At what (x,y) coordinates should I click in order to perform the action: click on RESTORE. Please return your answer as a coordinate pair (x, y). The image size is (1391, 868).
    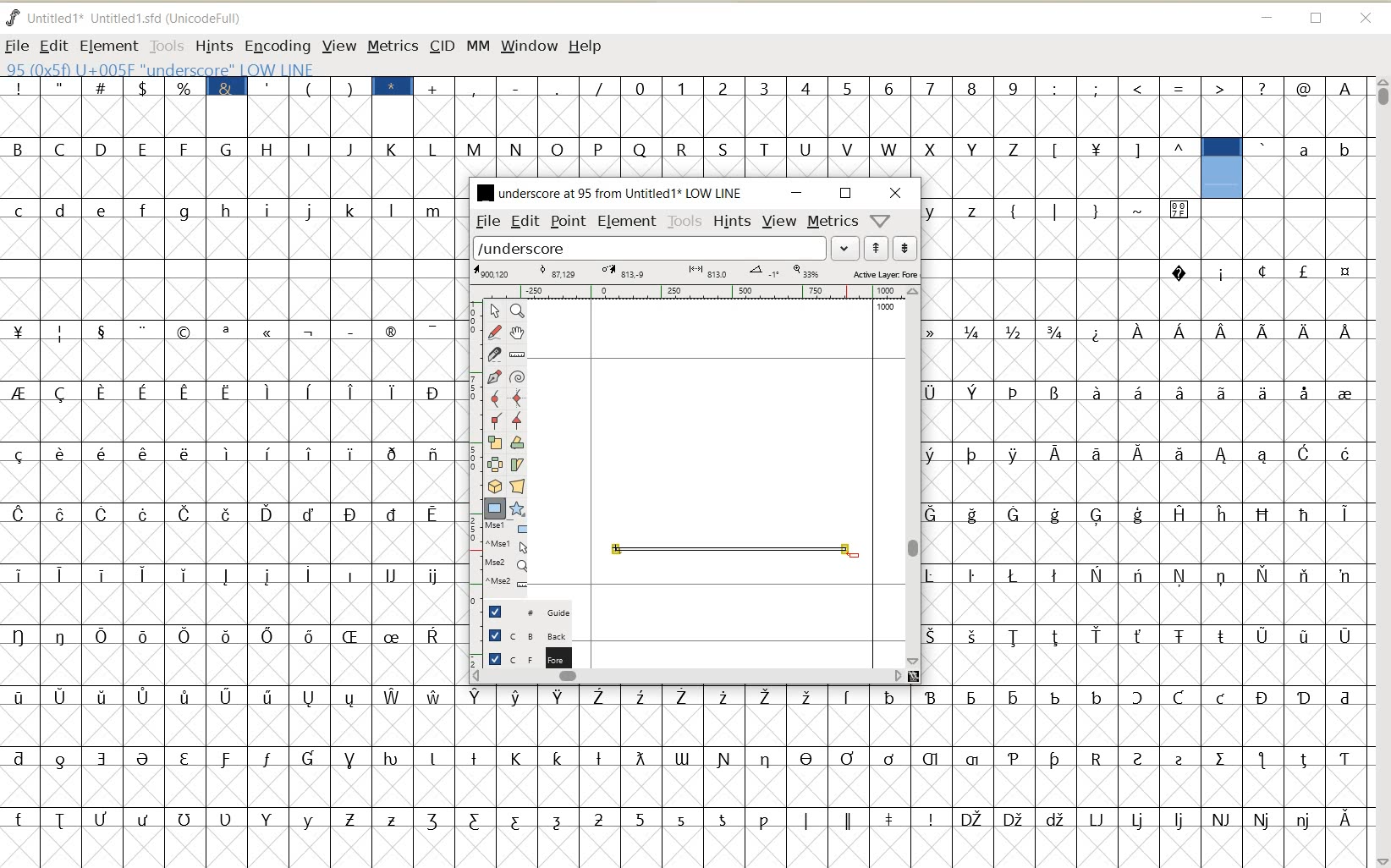
    Looking at the image, I should click on (846, 194).